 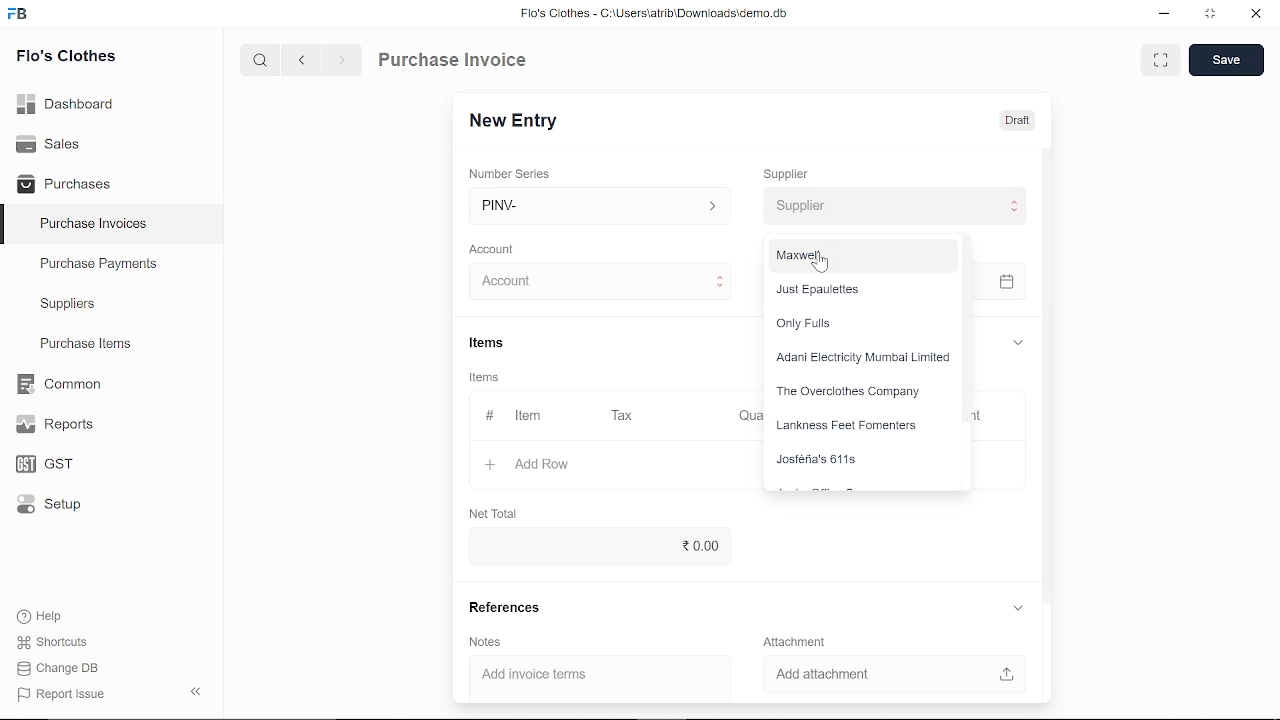 What do you see at coordinates (1017, 121) in the screenshot?
I see `Draft` at bounding box center [1017, 121].